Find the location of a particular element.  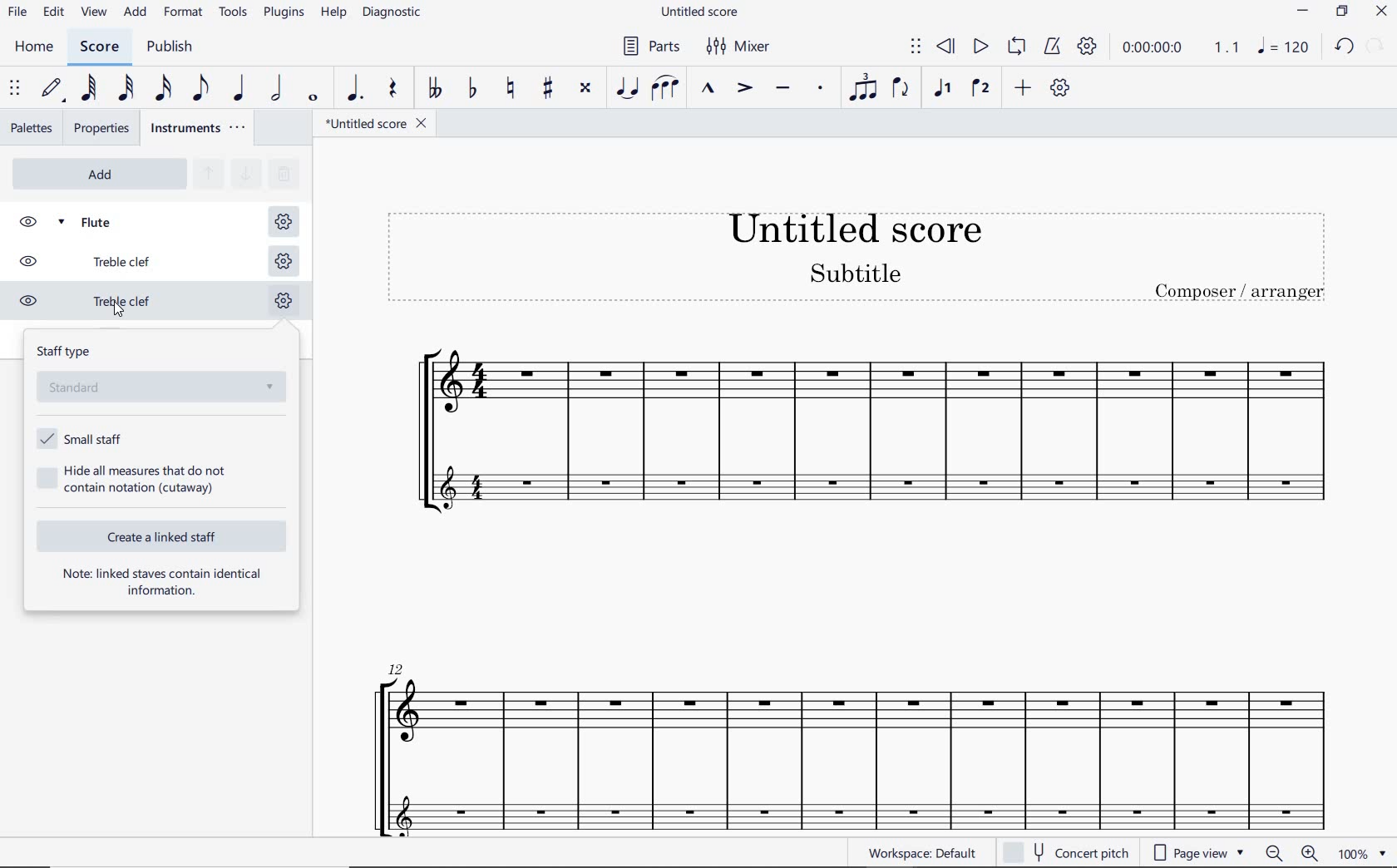

PLAY is located at coordinates (980, 47).